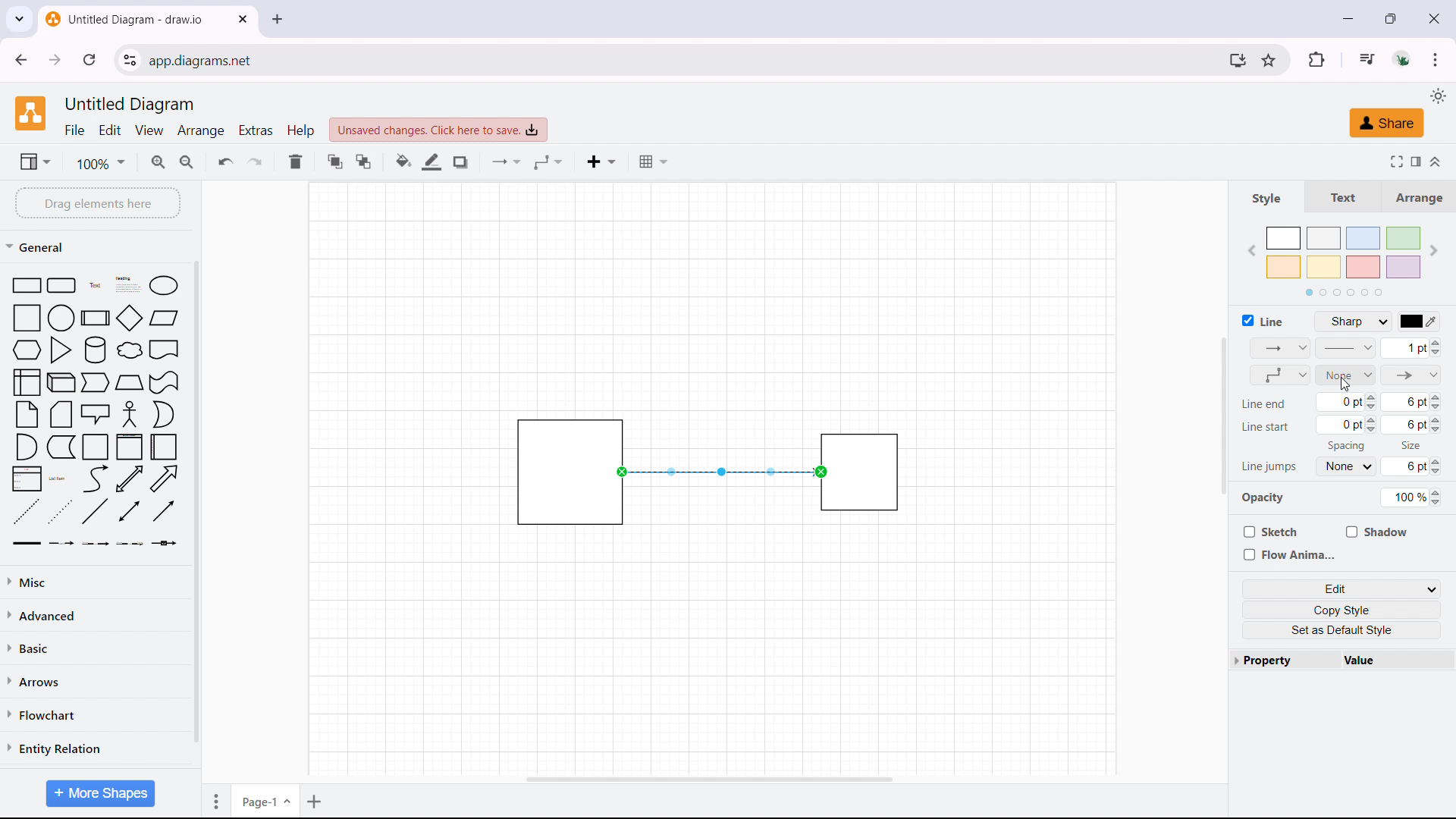  I want to click on tab title, so click(126, 19).